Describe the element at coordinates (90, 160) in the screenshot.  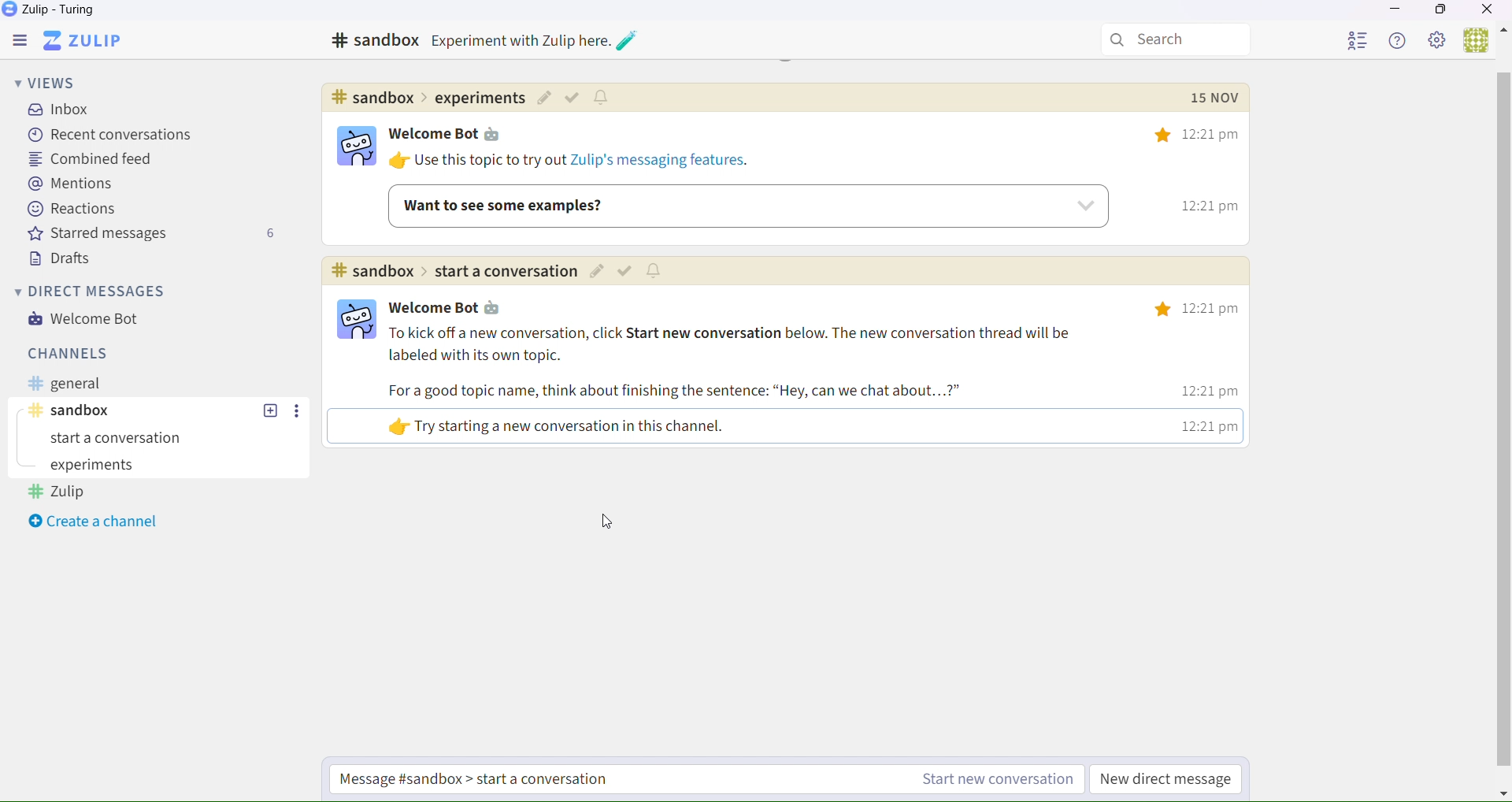
I see `Combined feed` at that location.